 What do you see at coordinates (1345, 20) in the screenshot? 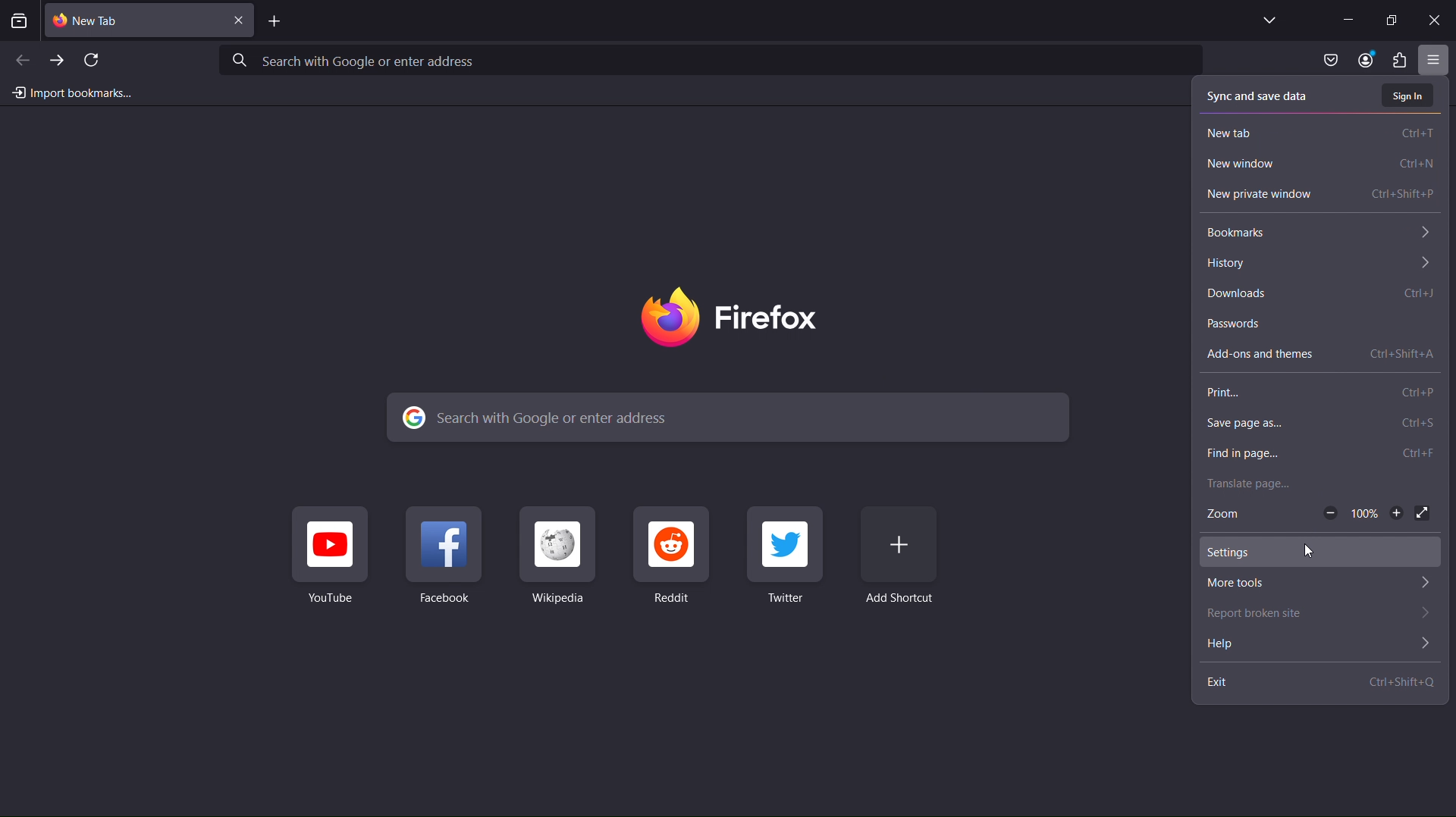
I see `Minimize` at bounding box center [1345, 20].